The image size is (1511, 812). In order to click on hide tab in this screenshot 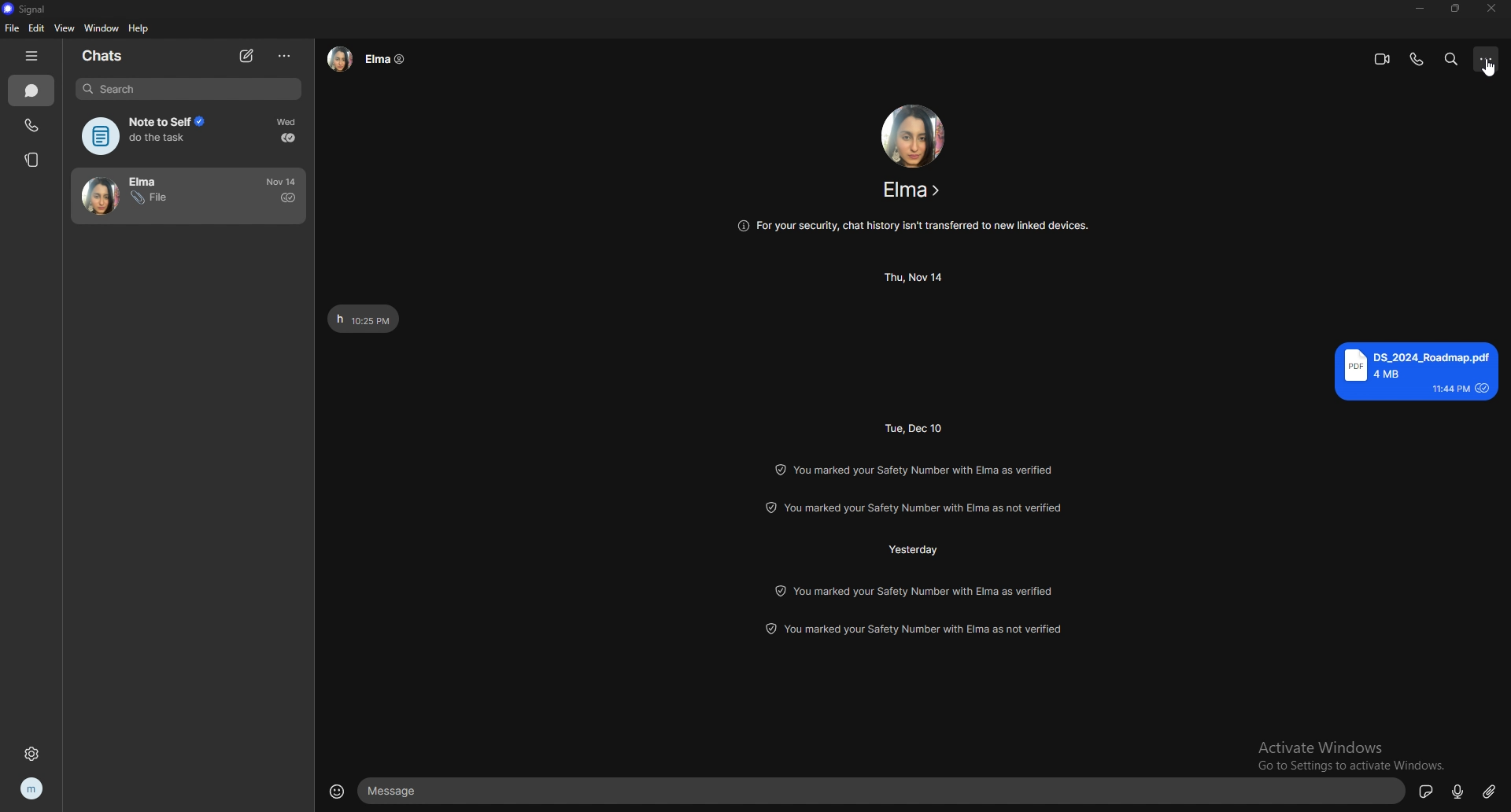, I will do `click(30, 57)`.